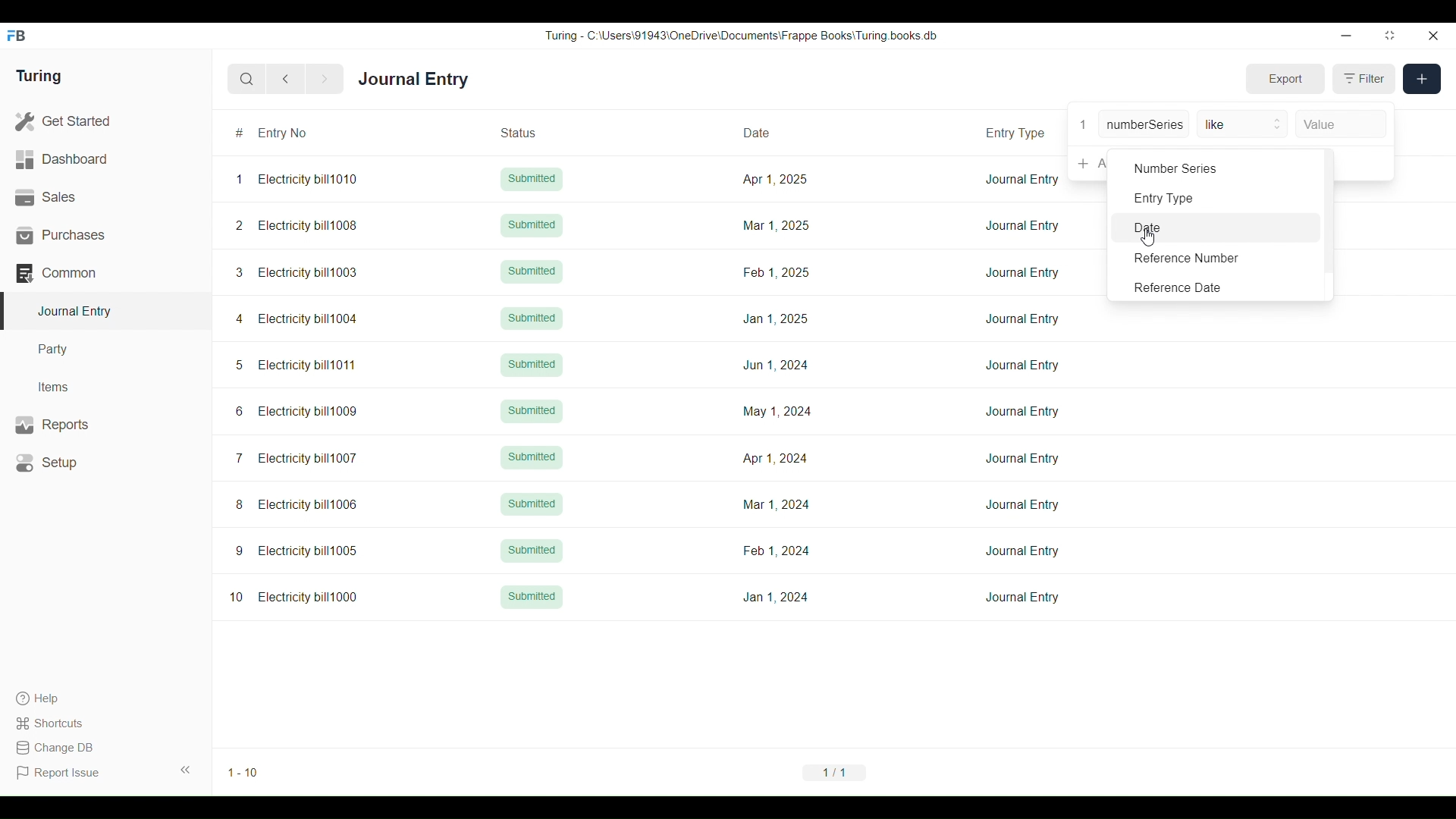 This screenshot has width=1456, height=819. Describe the element at coordinates (532, 457) in the screenshot. I see `Submitted` at that location.